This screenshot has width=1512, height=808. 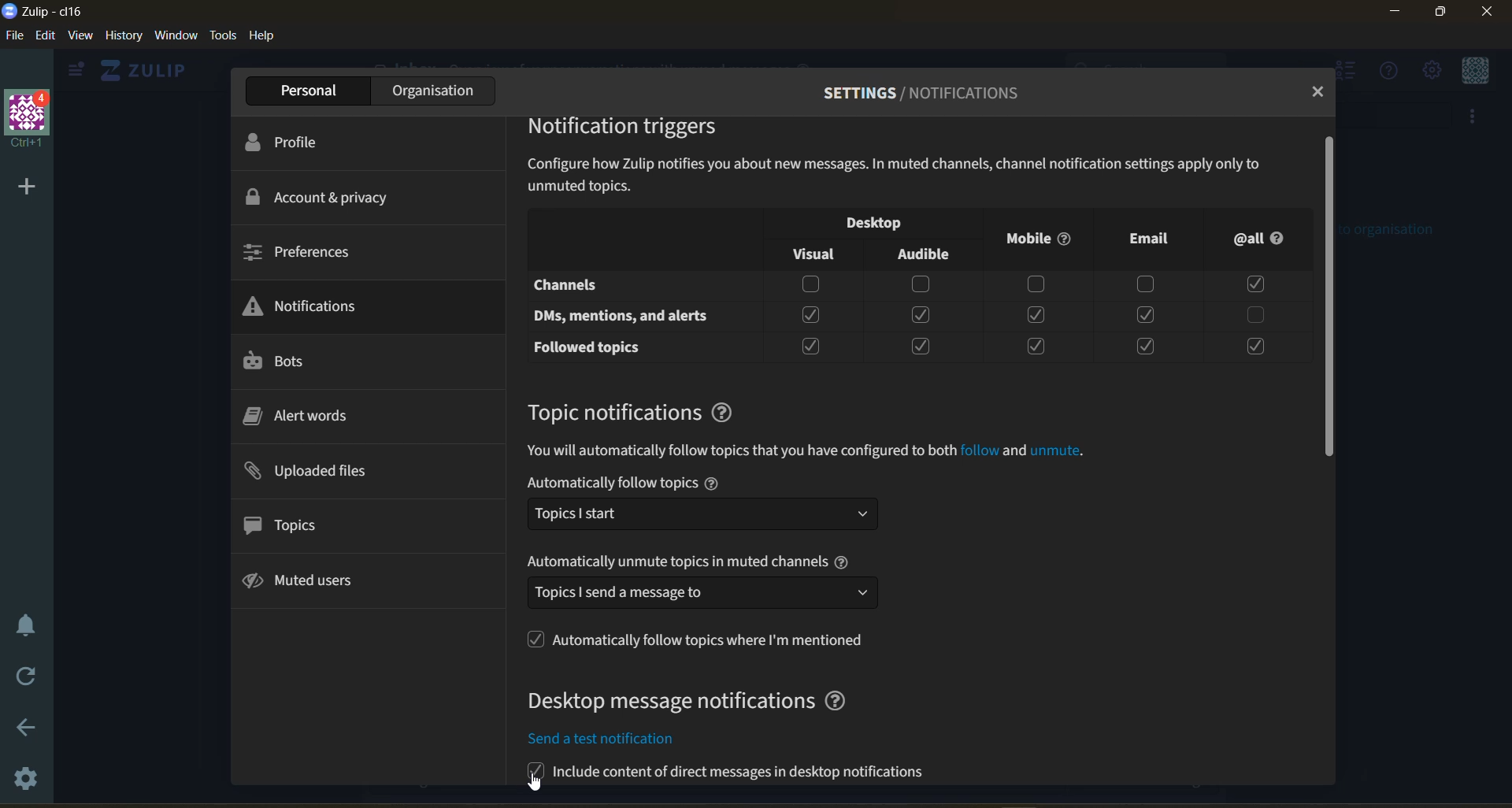 I want to click on scroll bar, so click(x=1330, y=301).